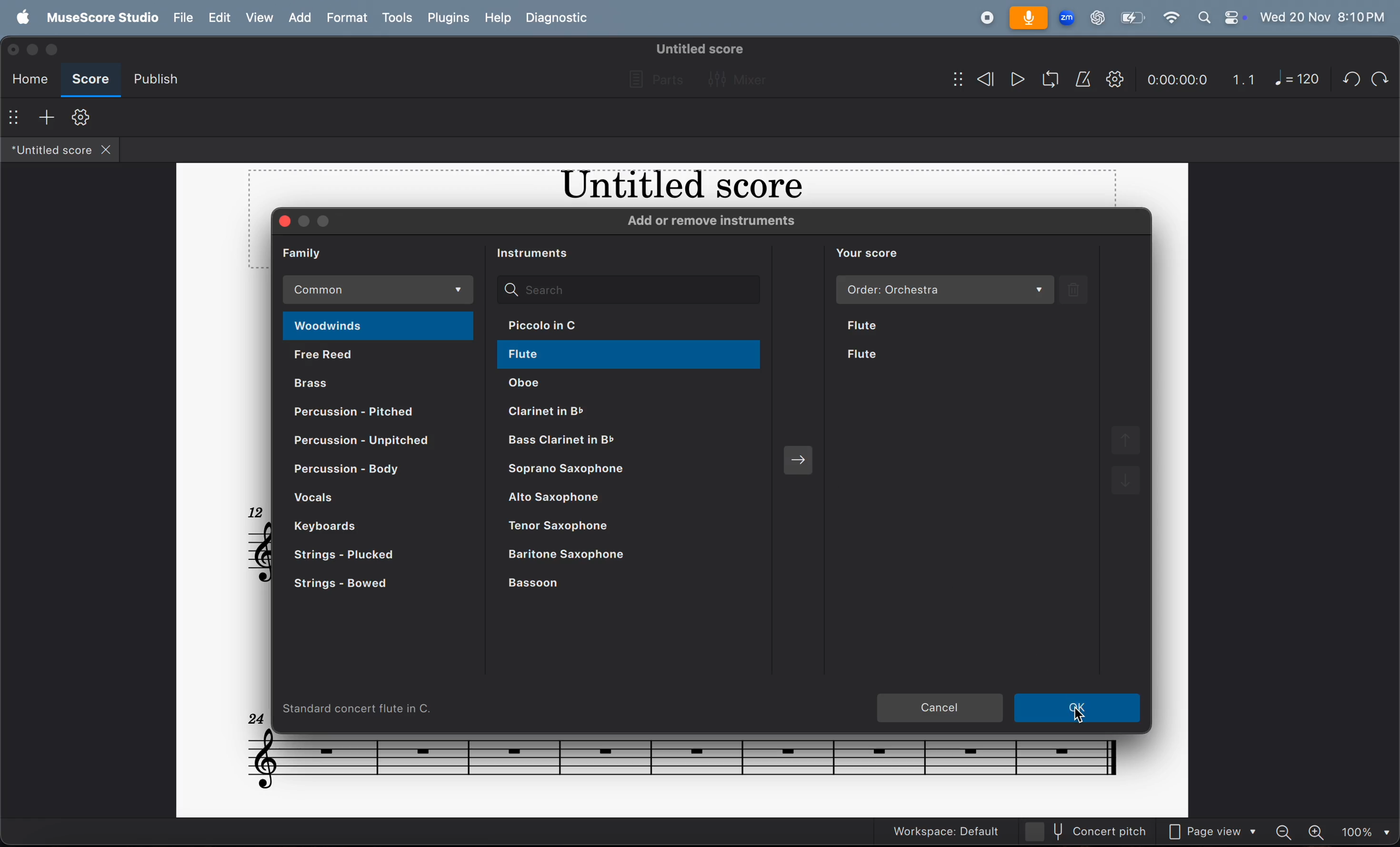 This screenshot has height=847, width=1400. Describe the element at coordinates (625, 528) in the screenshot. I see `tenor saxophone` at that location.